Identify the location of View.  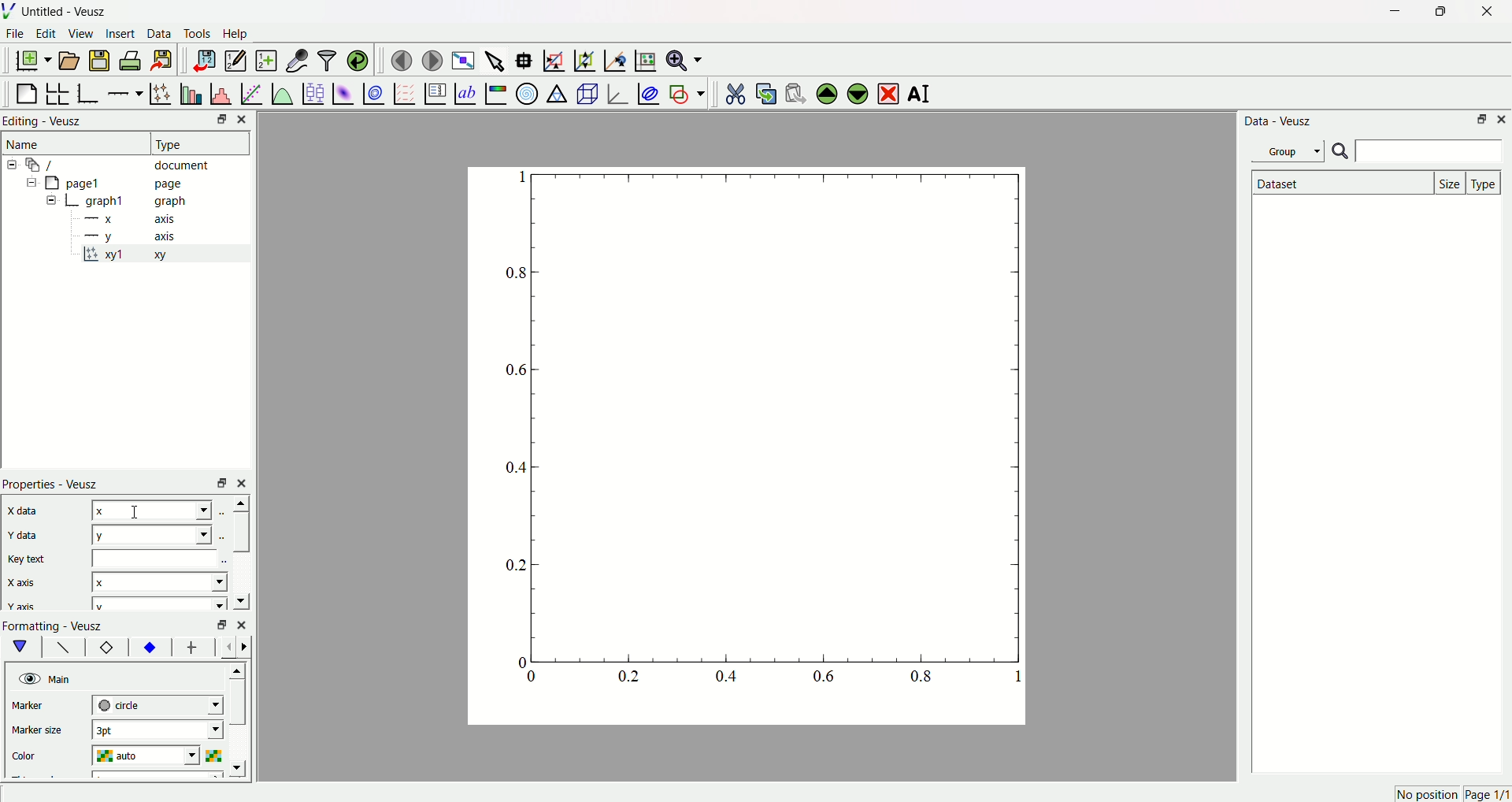
(81, 35).